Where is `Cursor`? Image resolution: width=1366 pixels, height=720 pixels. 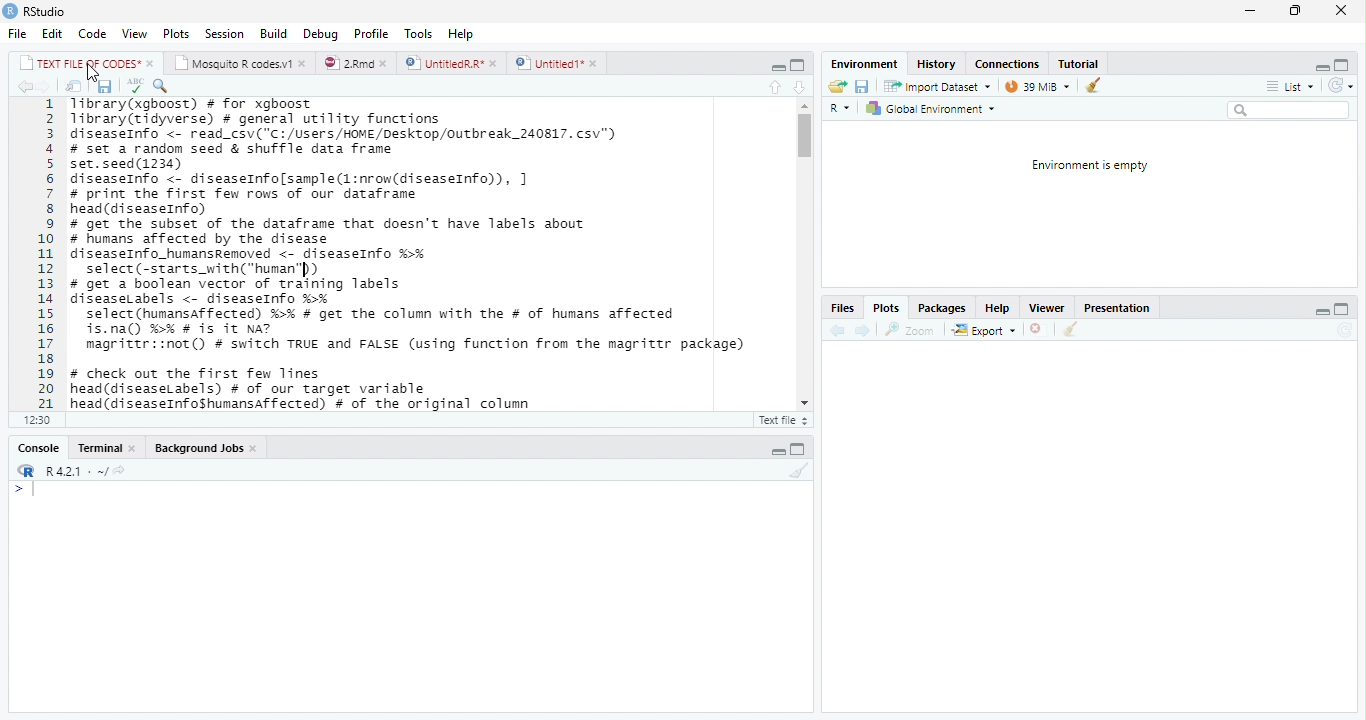 Cursor is located at coordinates (98, 72).